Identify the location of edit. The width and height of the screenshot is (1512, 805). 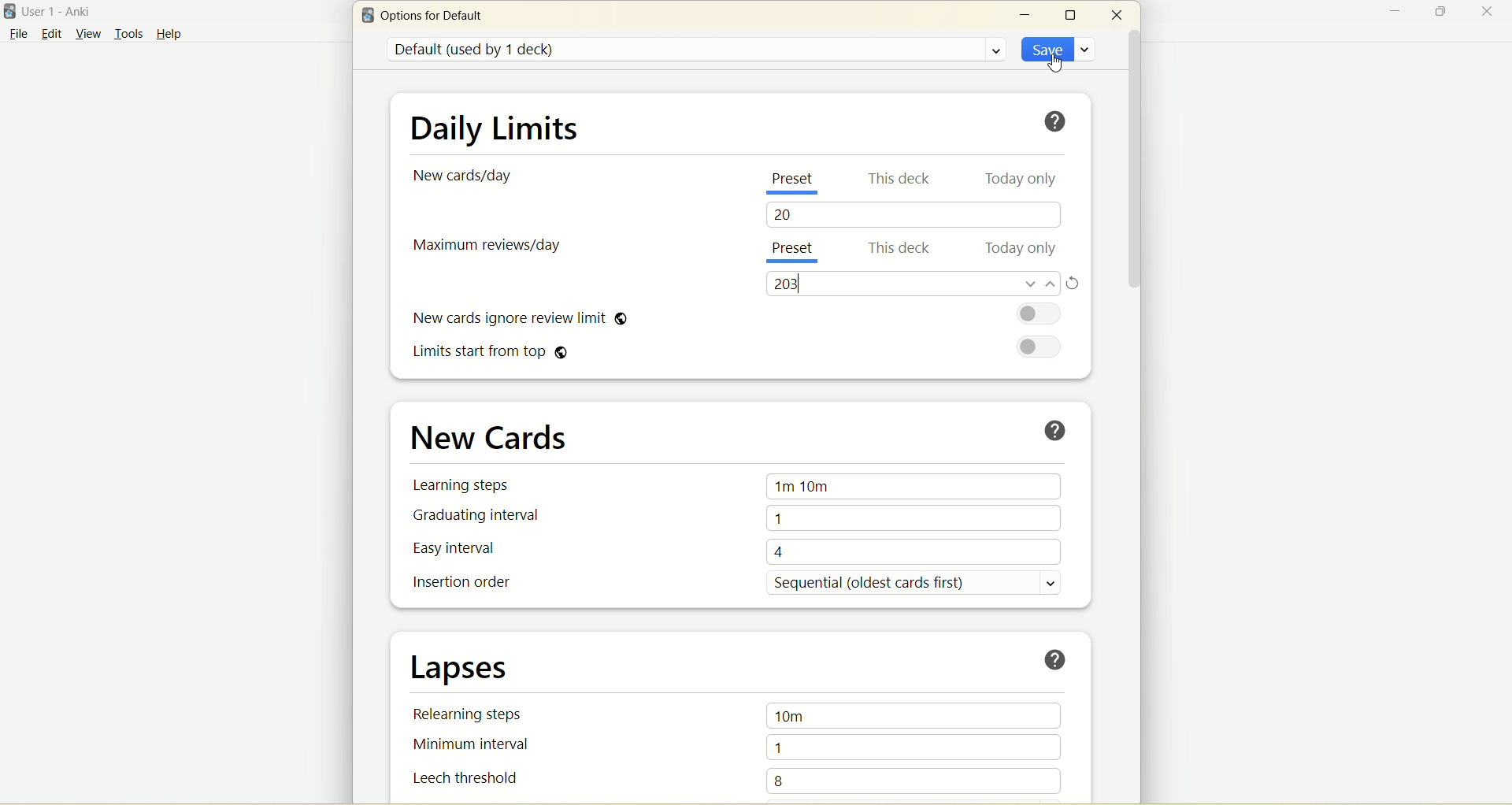
(53, 35).